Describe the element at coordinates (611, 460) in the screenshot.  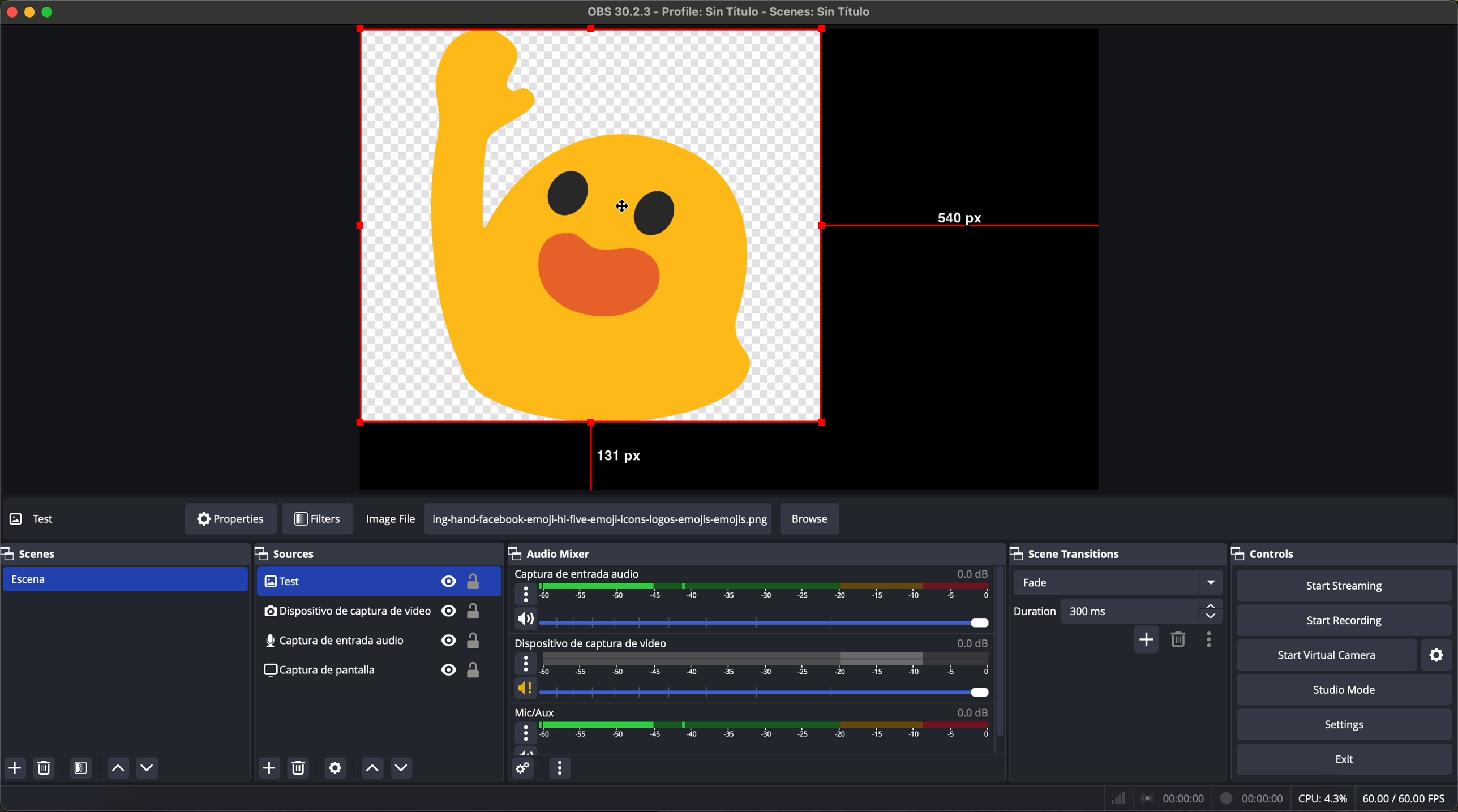
I see `131 px distance` at that location.